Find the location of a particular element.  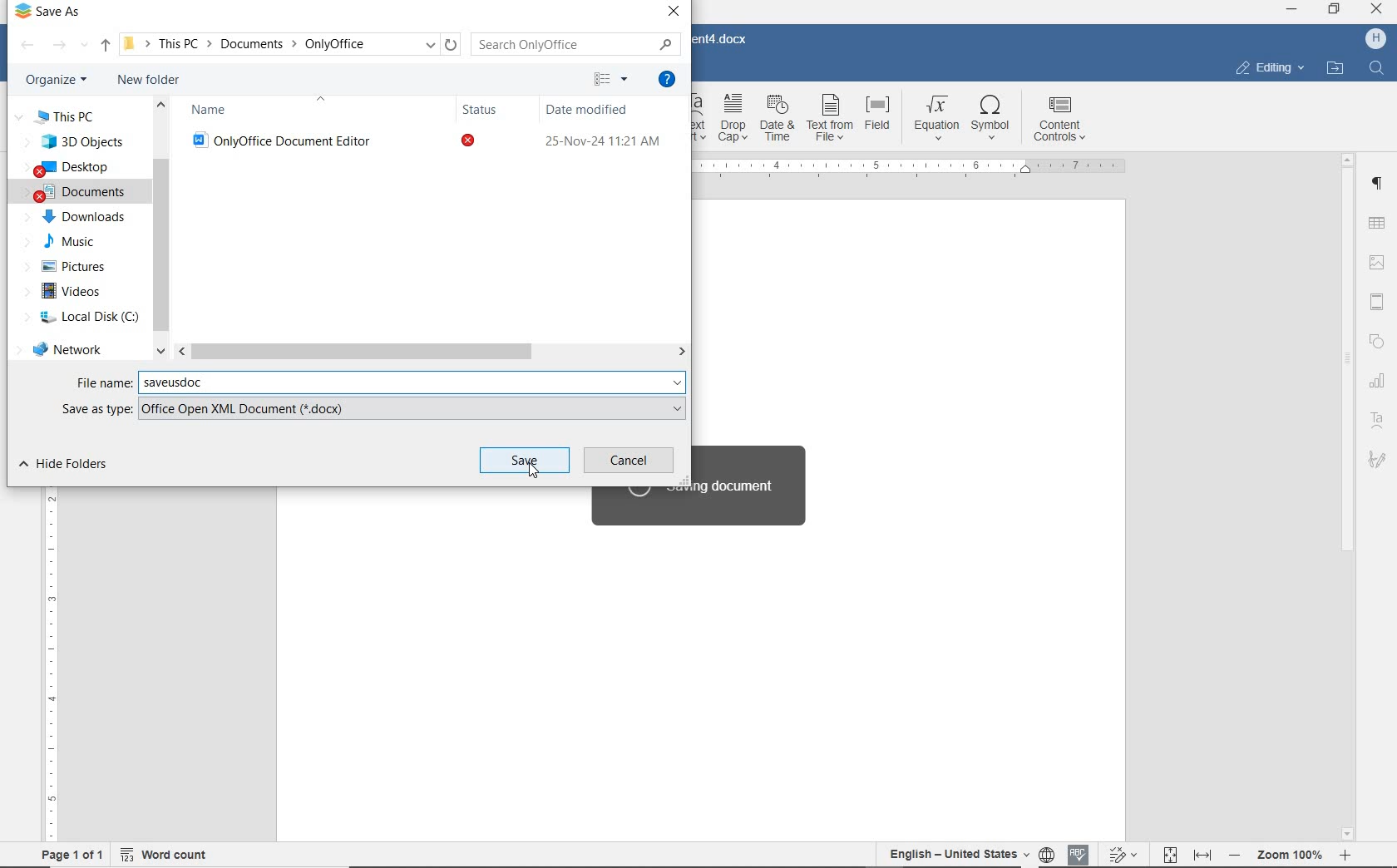

Pointer is located at coordinates (534, 481).